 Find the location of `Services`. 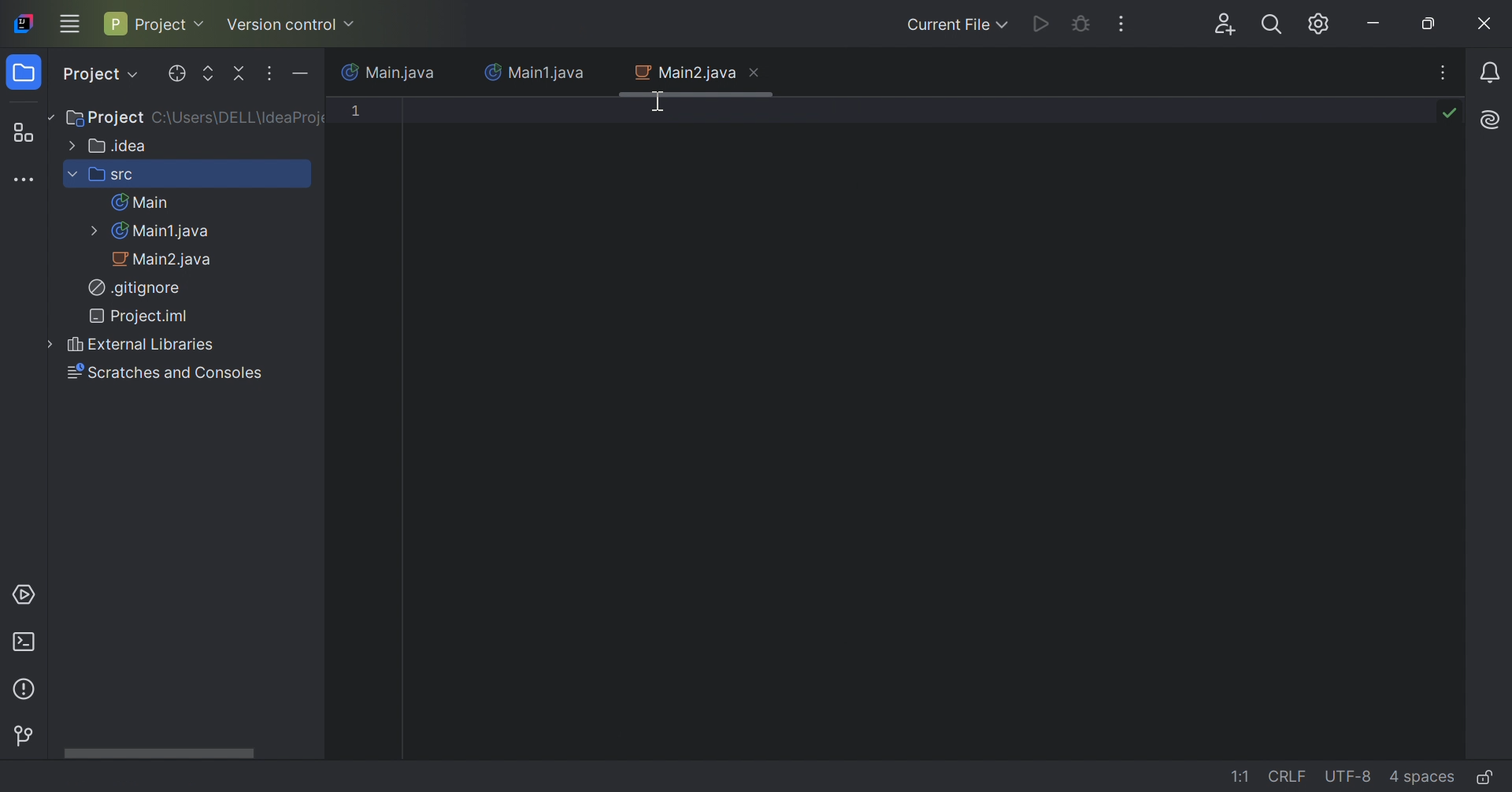

Services is located at coordinates (26, 594).